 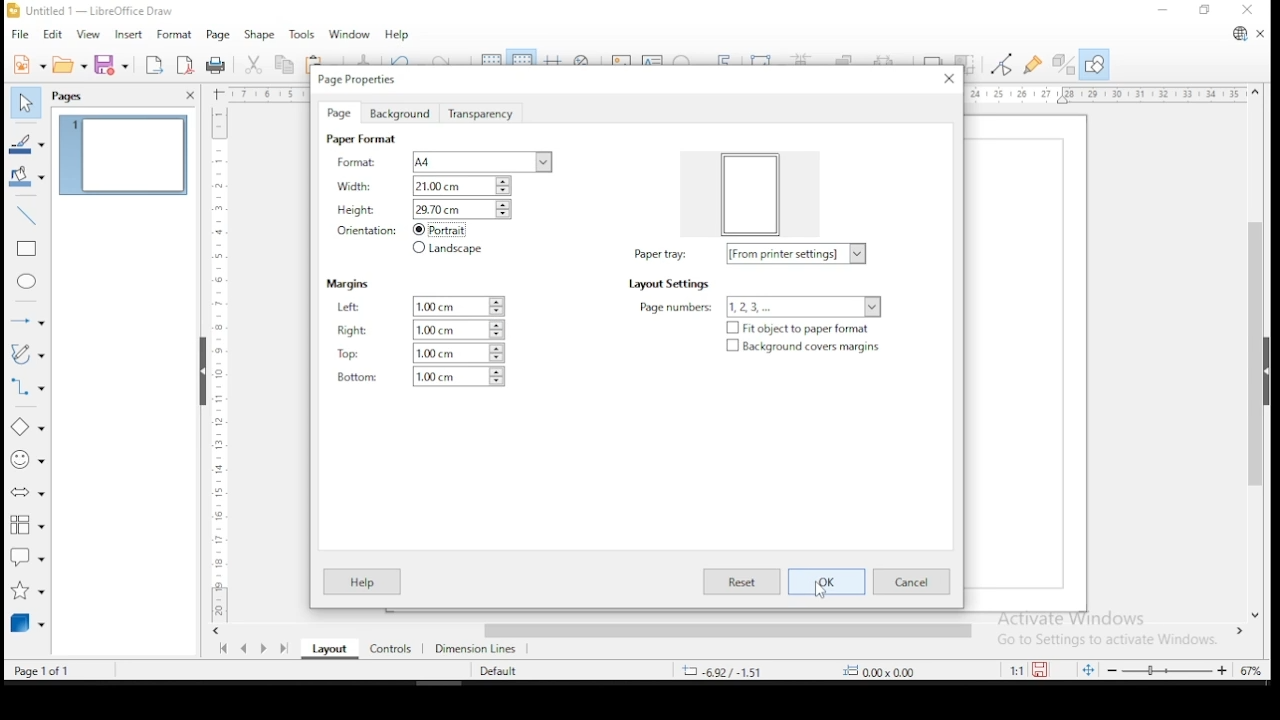 What do you see at coordinates (804, 347) in the screenshot?
I see `checkbox: background covers margin` at bounding box center [804, 347].